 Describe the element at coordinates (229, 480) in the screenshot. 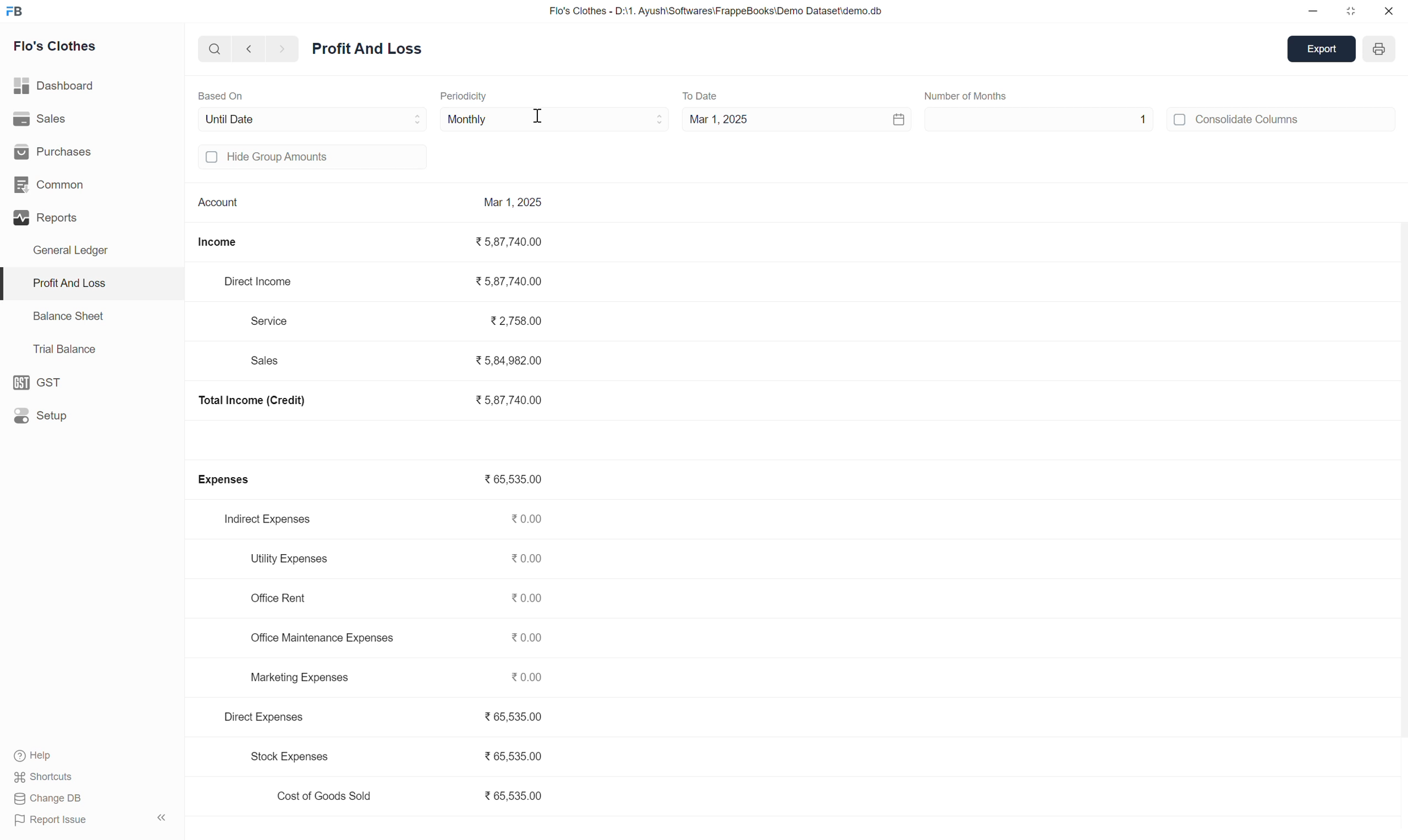

I see `Expenses` at that location.